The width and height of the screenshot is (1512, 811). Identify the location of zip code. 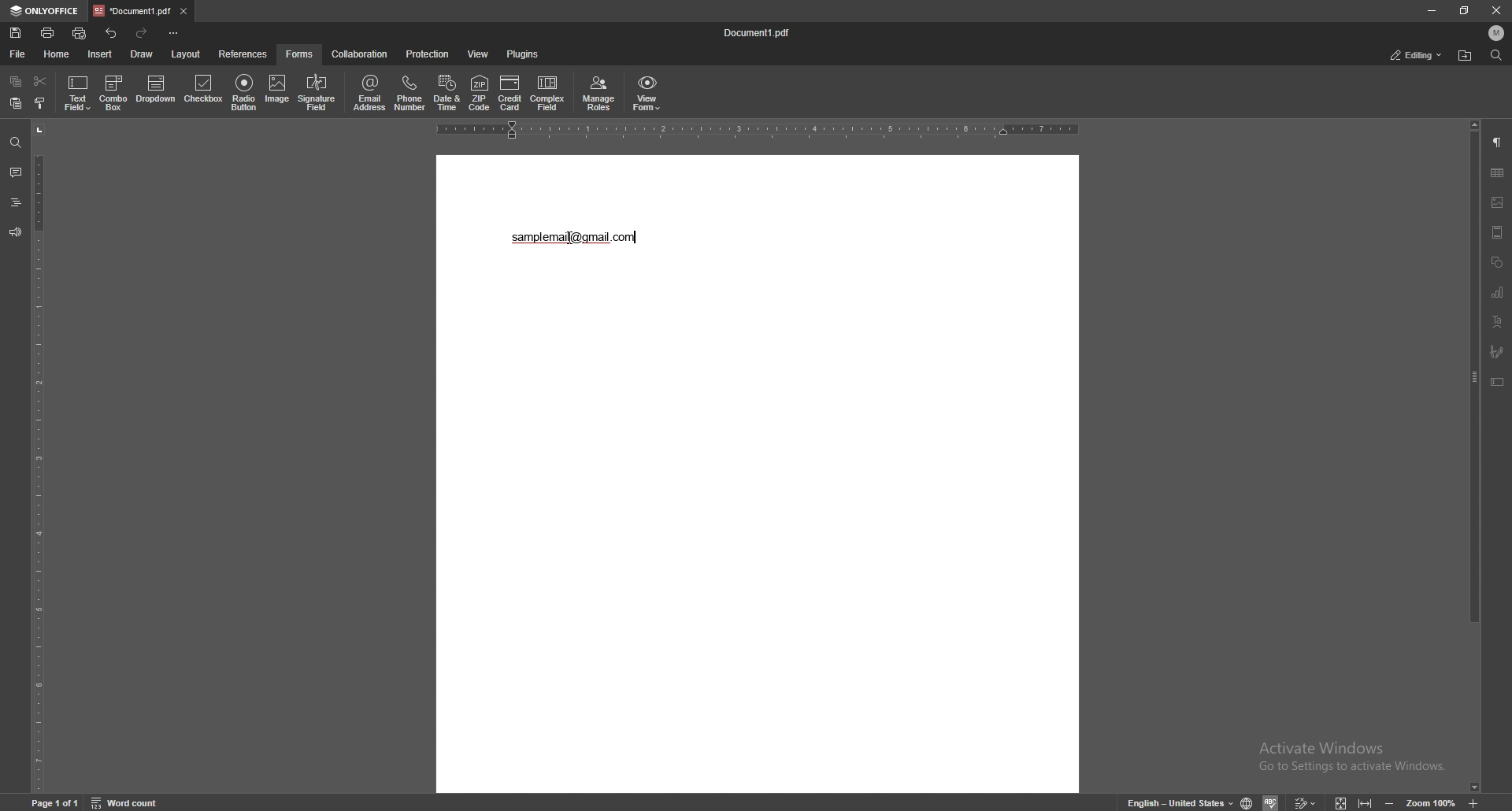
(480, 94).